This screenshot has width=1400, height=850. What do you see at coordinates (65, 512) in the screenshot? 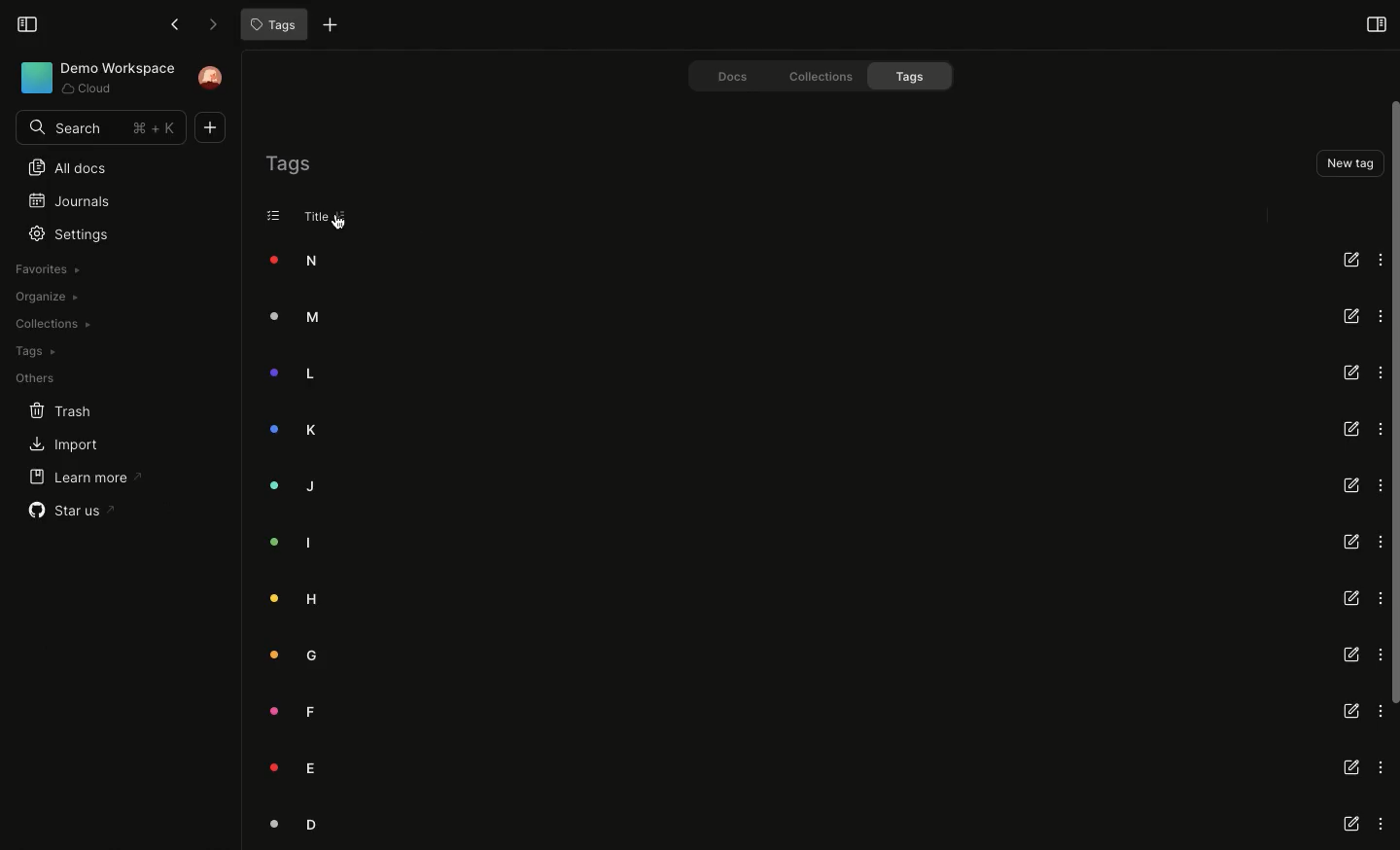
I see `Star us` at bounding box center [65, 512].